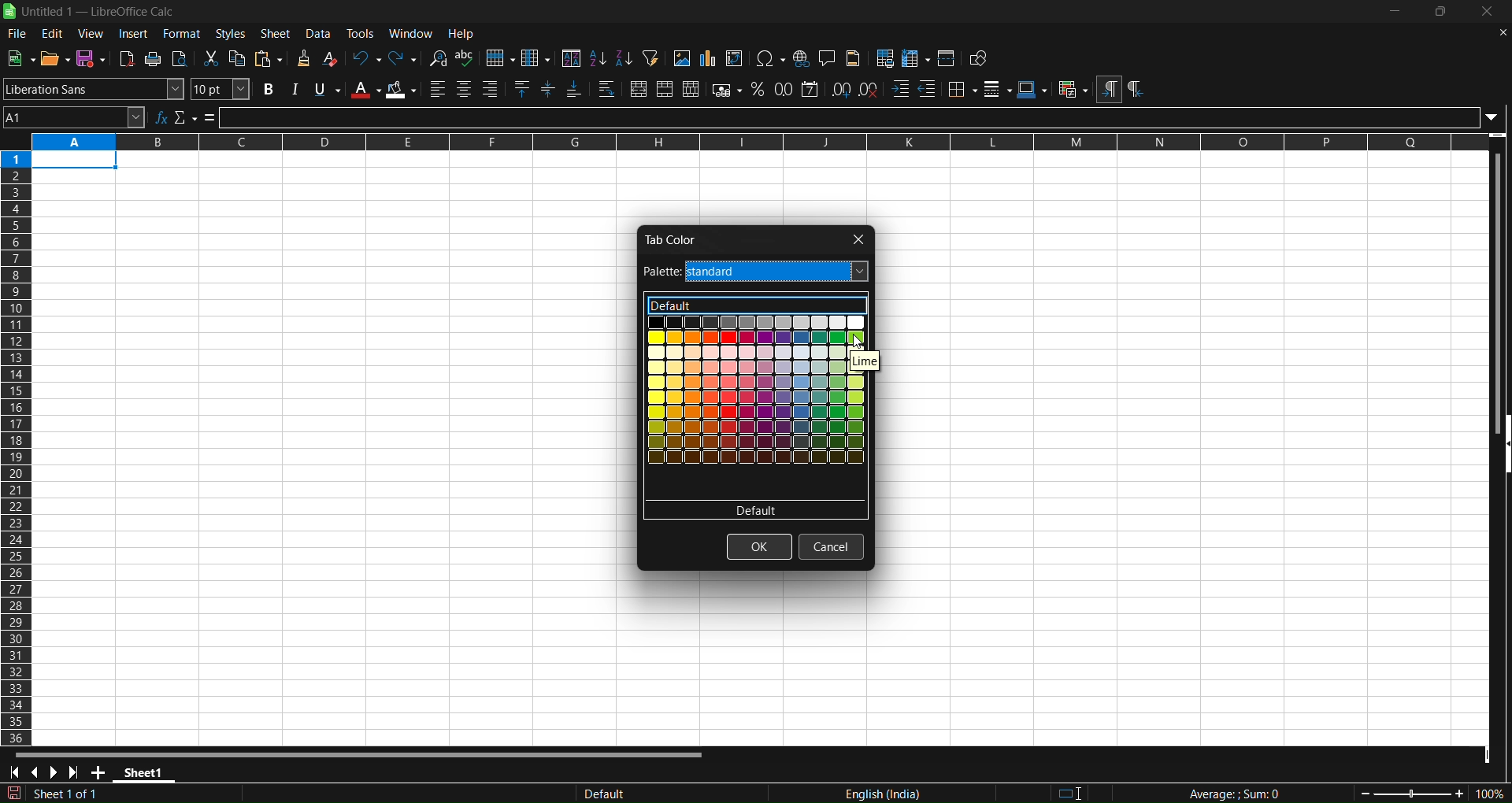 The height and width of the screenshot is (803, 1512). Describe the element at coordinates (1495, 283) in the screenshot. I see `vertical scroll bar` at that location.